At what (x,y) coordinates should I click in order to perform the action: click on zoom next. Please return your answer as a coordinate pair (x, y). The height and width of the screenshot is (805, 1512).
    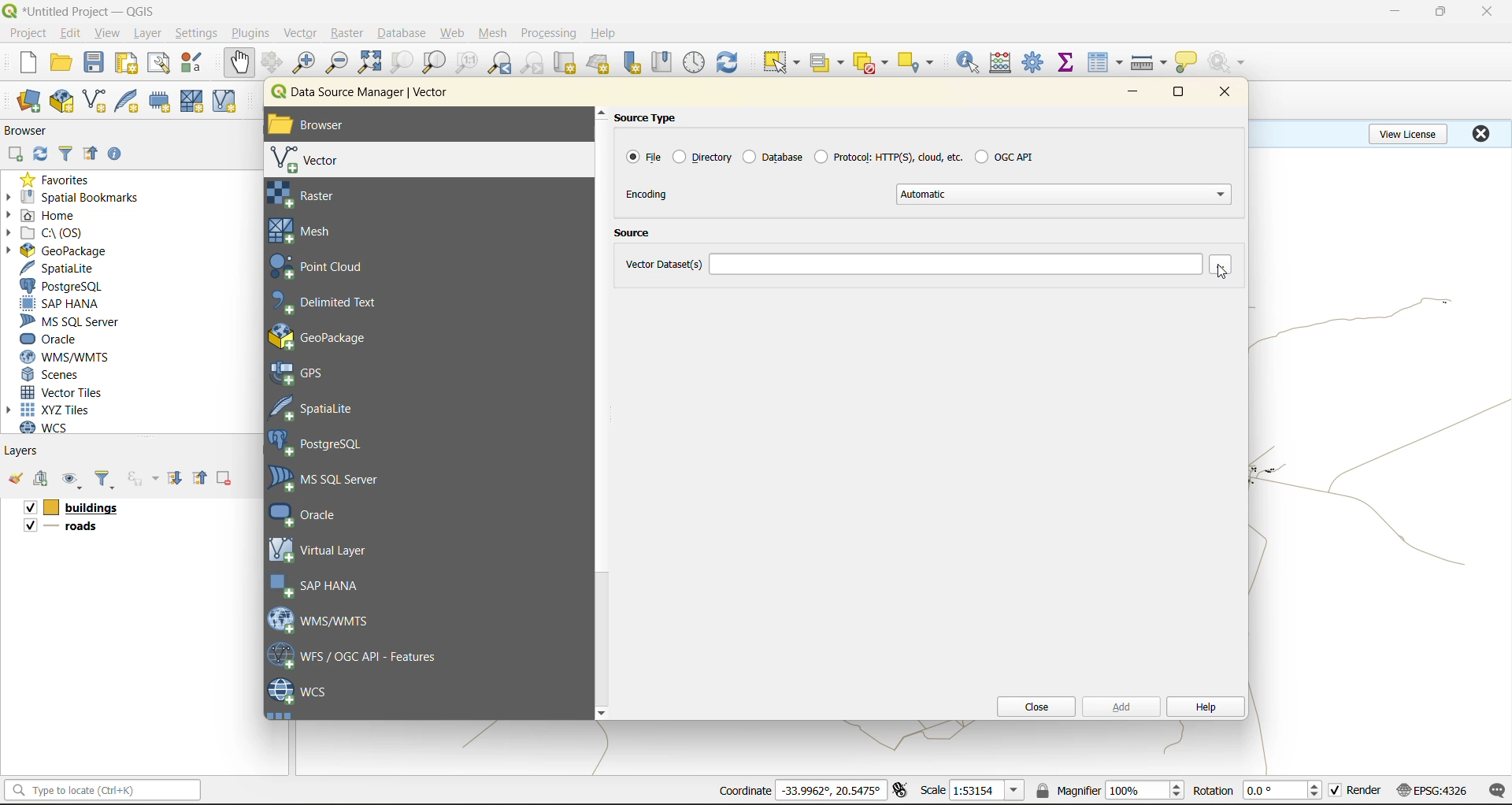
    Looking at the image, I should click on (535, 63).